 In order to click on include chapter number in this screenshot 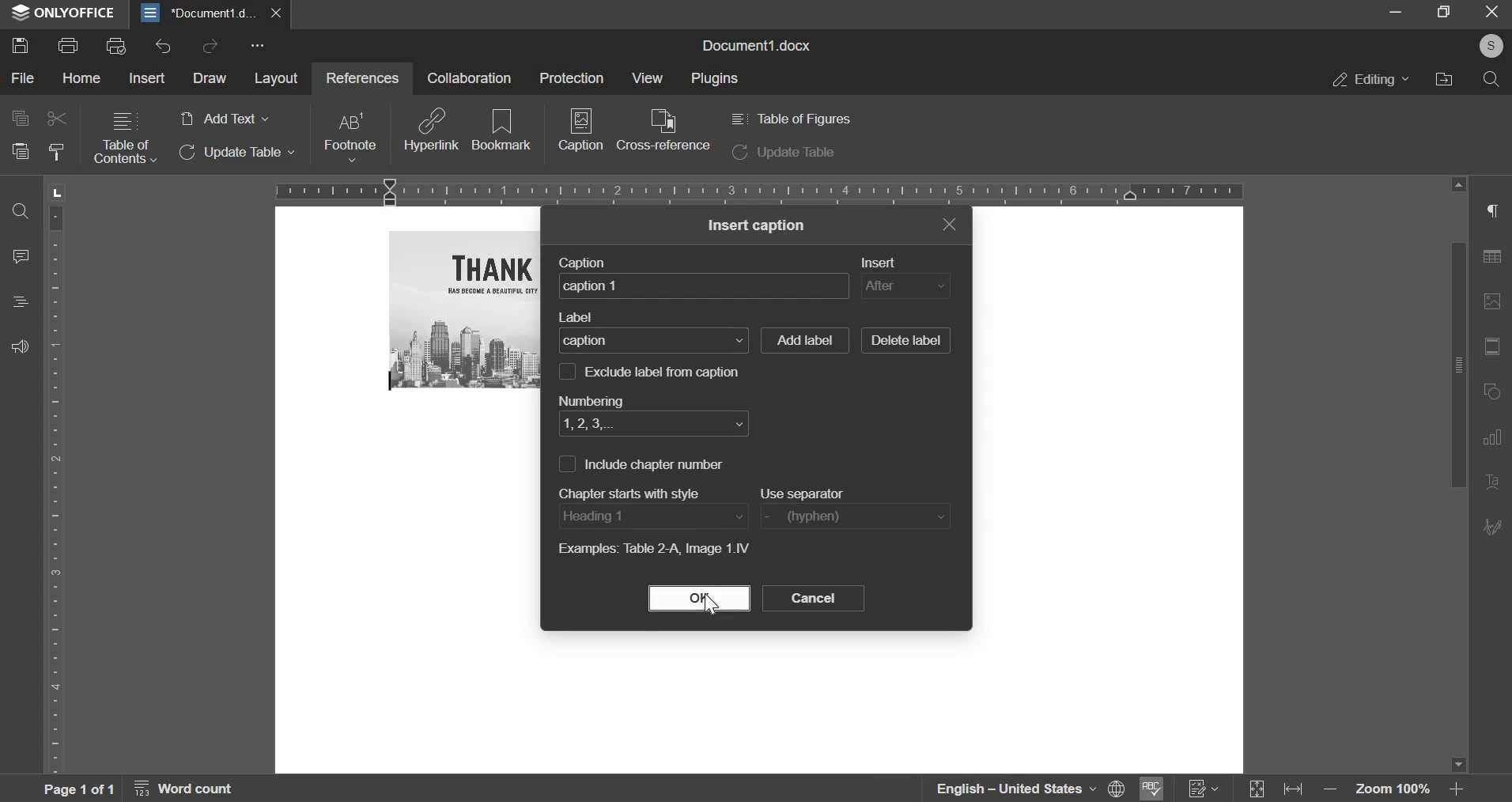, I will do `click(656, 464)`.